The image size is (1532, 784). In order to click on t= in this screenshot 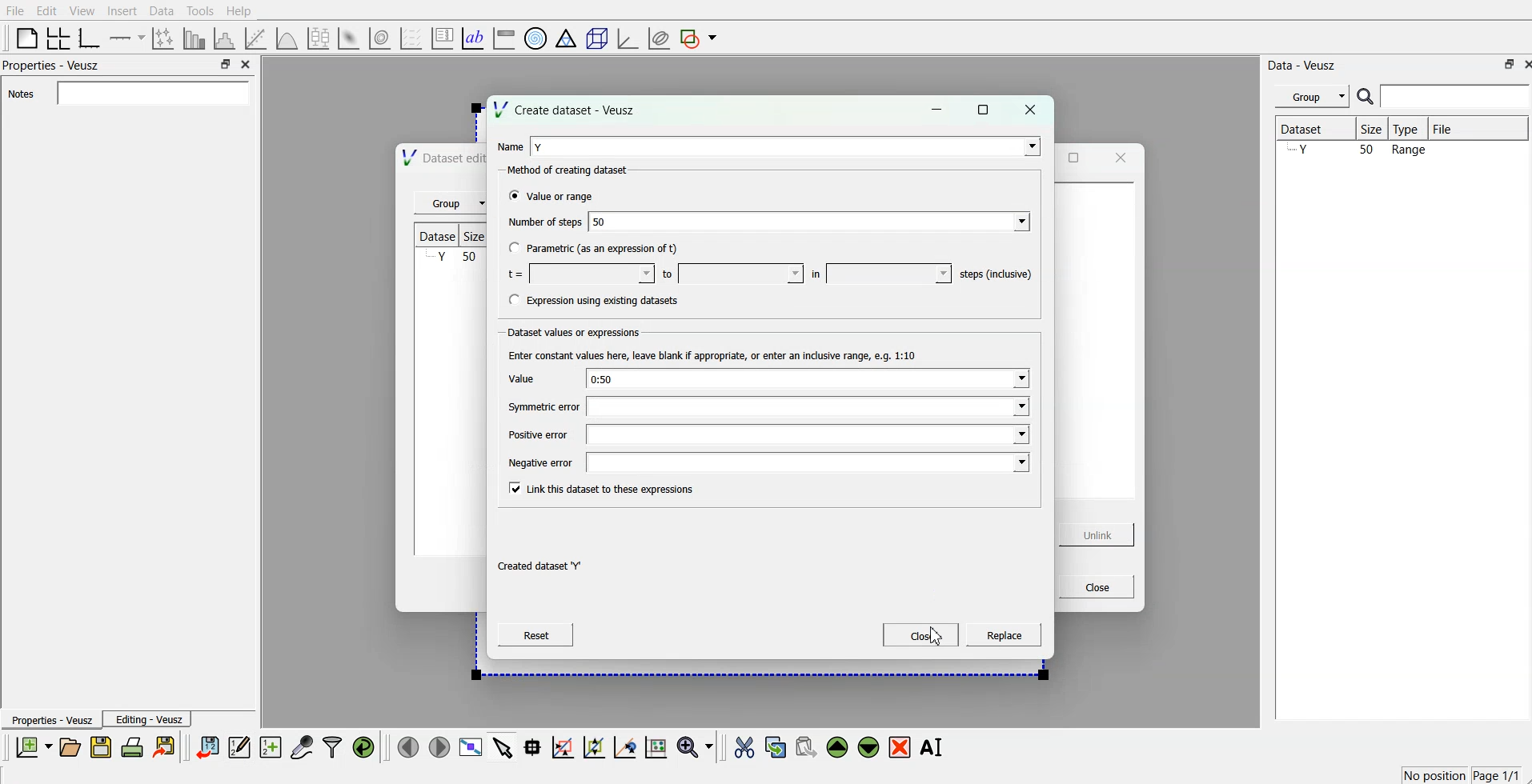, I will do `click(515, 274)`.